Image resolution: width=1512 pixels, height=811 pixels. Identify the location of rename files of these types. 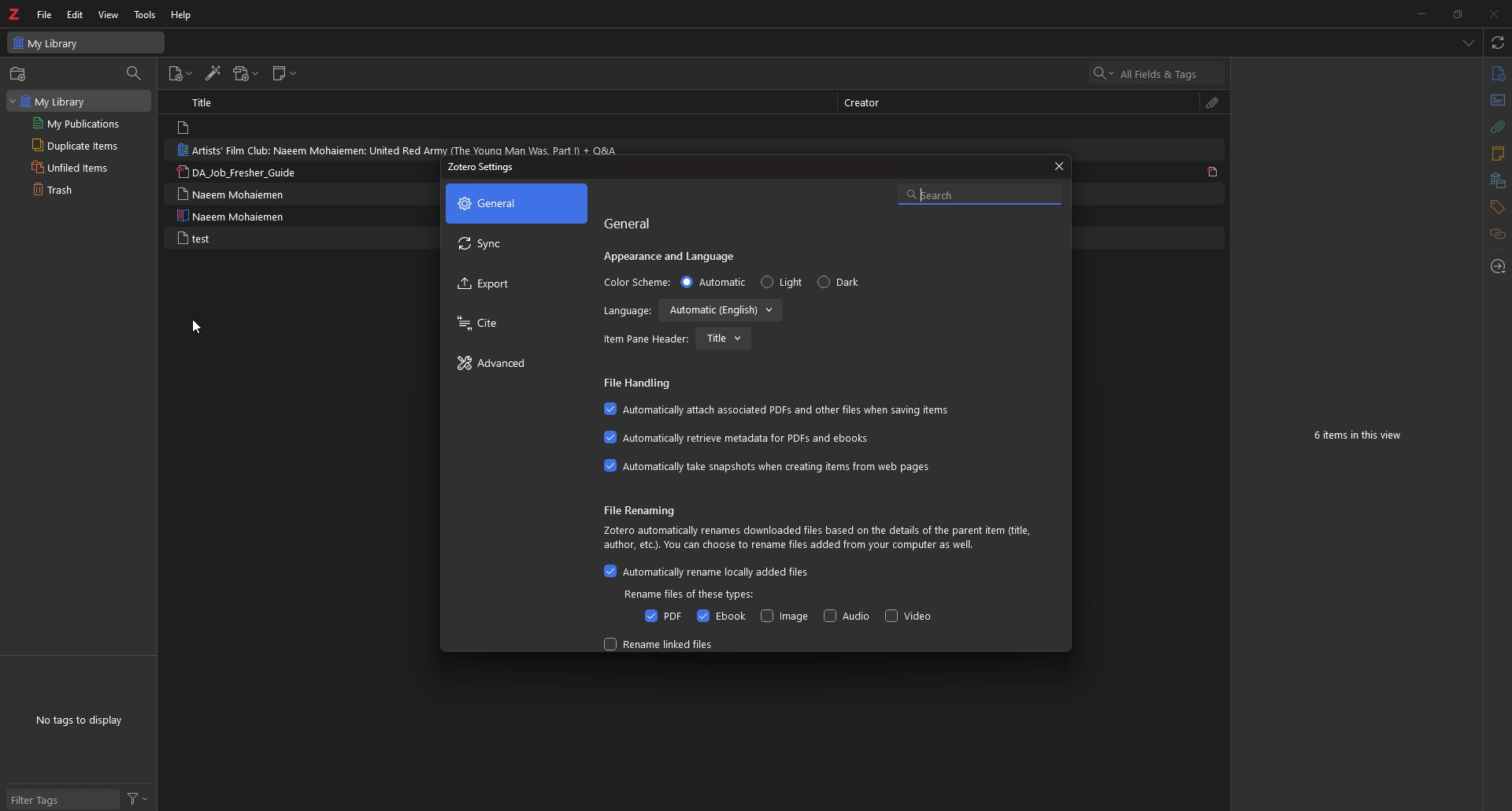
(691, 594).